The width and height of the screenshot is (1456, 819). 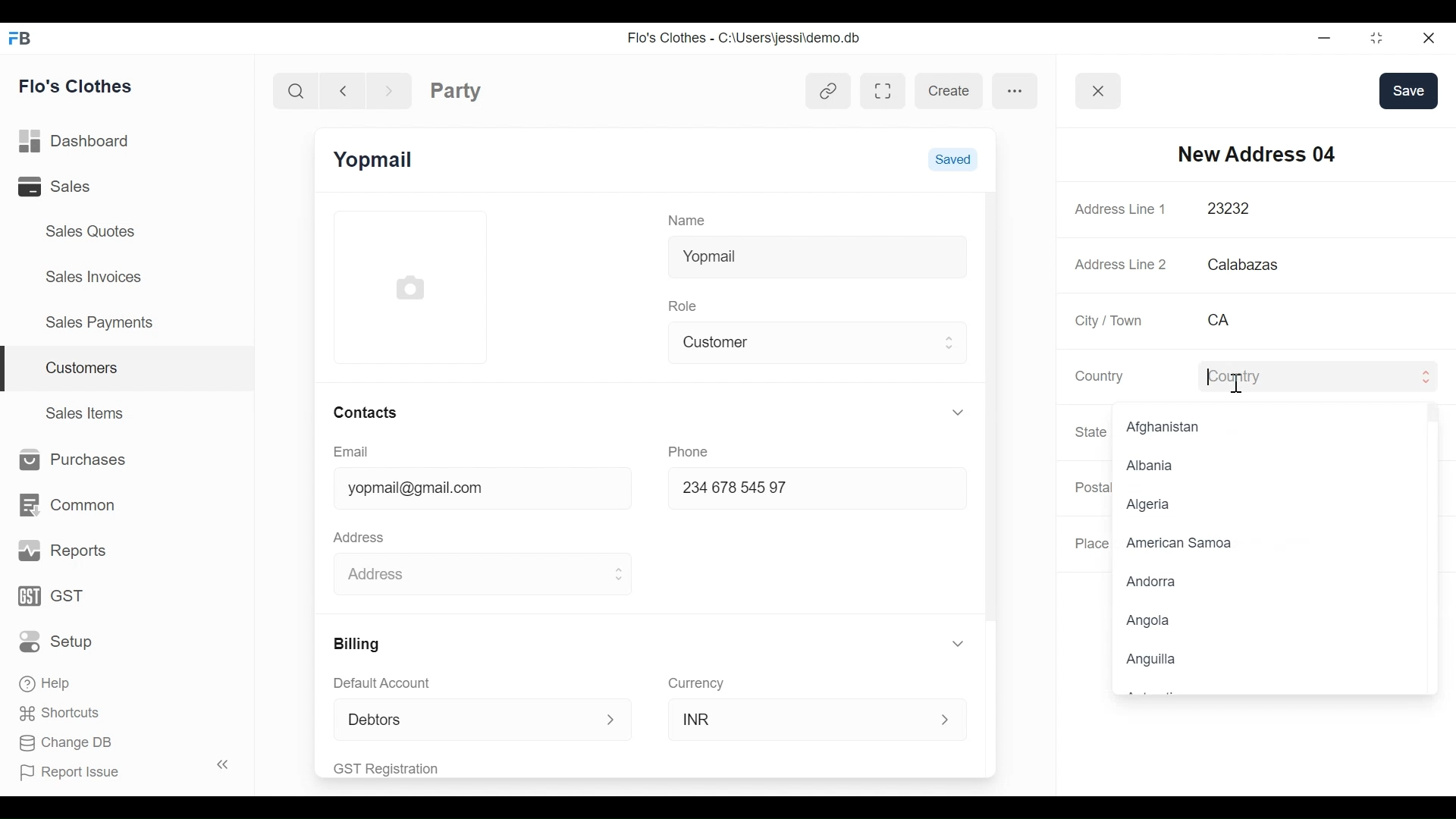 What do you see at coordinates (1372, 38) in the screenshot?
I see `Restore` at bounding box center [1372, 38].